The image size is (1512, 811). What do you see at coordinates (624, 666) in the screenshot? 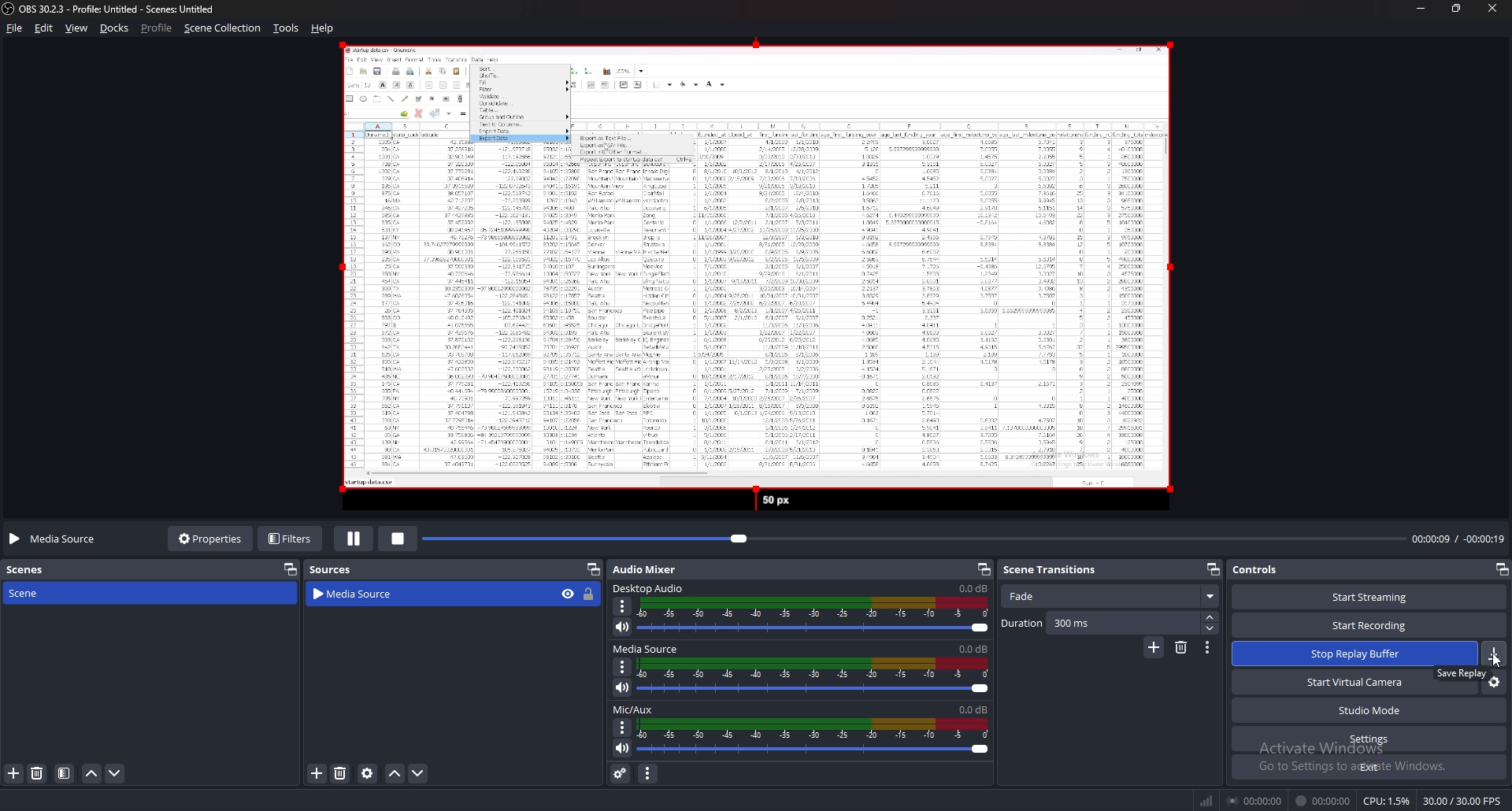
I see `options` at bounding box center [624, 666].